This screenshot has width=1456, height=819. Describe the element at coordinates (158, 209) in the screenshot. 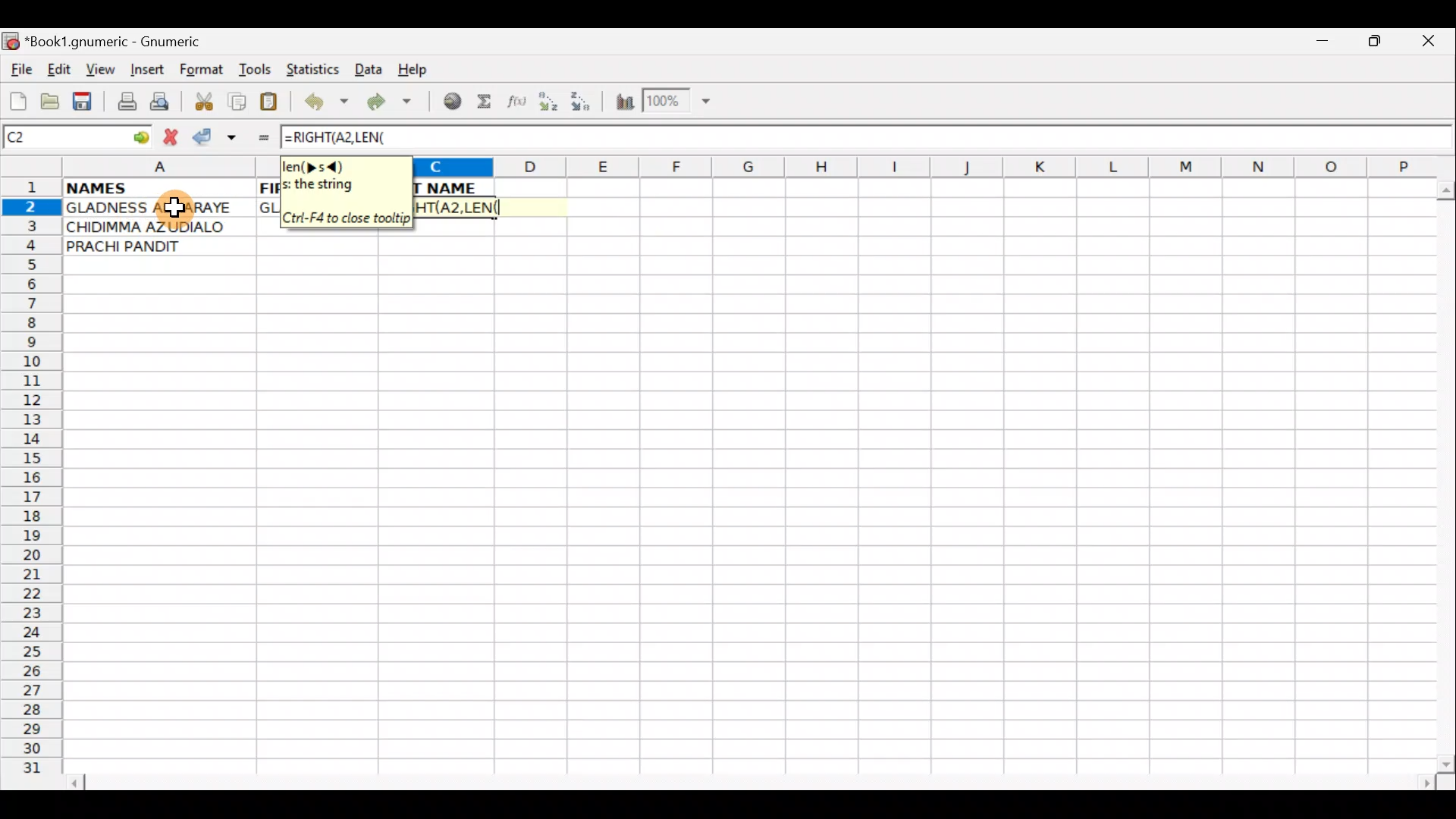

I see `GLADNESS AKHARAYE` at that location.